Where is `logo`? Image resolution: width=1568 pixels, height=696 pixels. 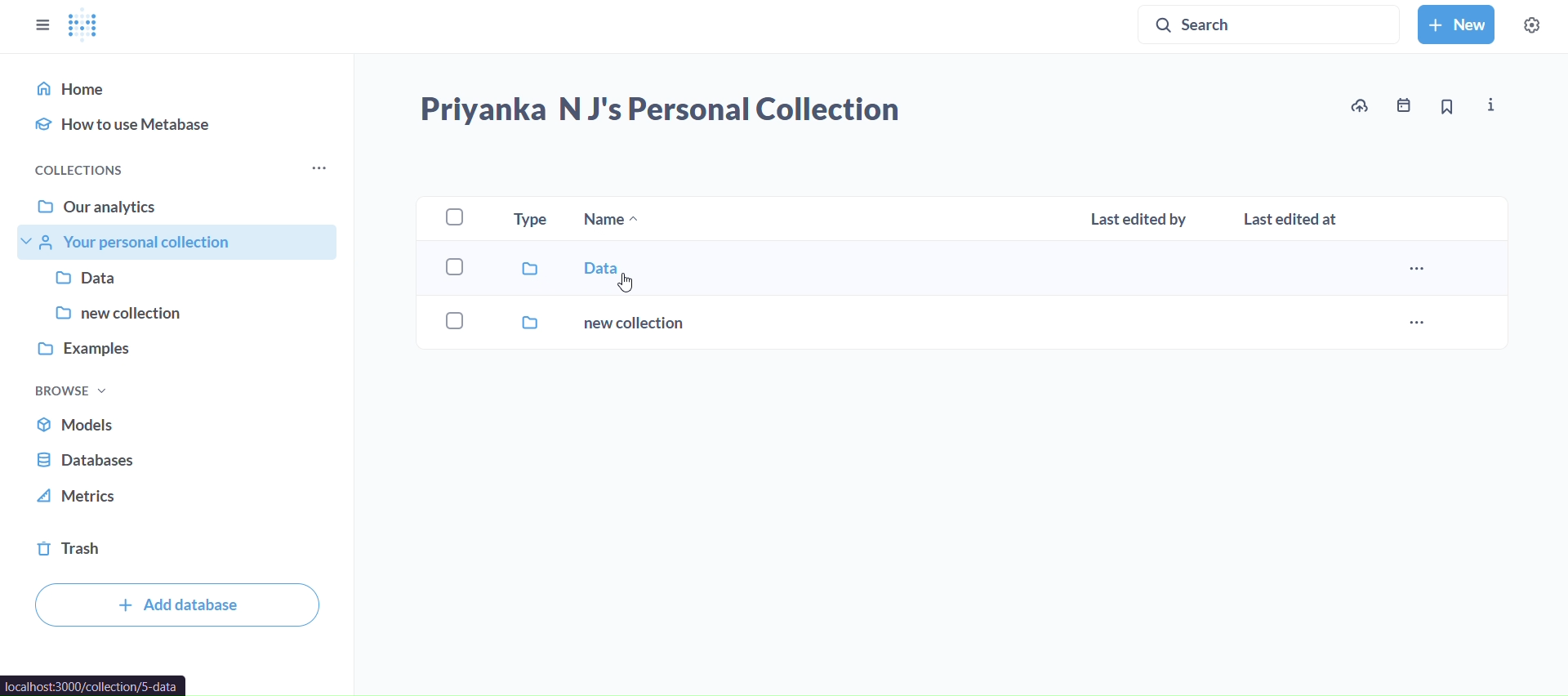
logo is located at coordinates (86, 26).